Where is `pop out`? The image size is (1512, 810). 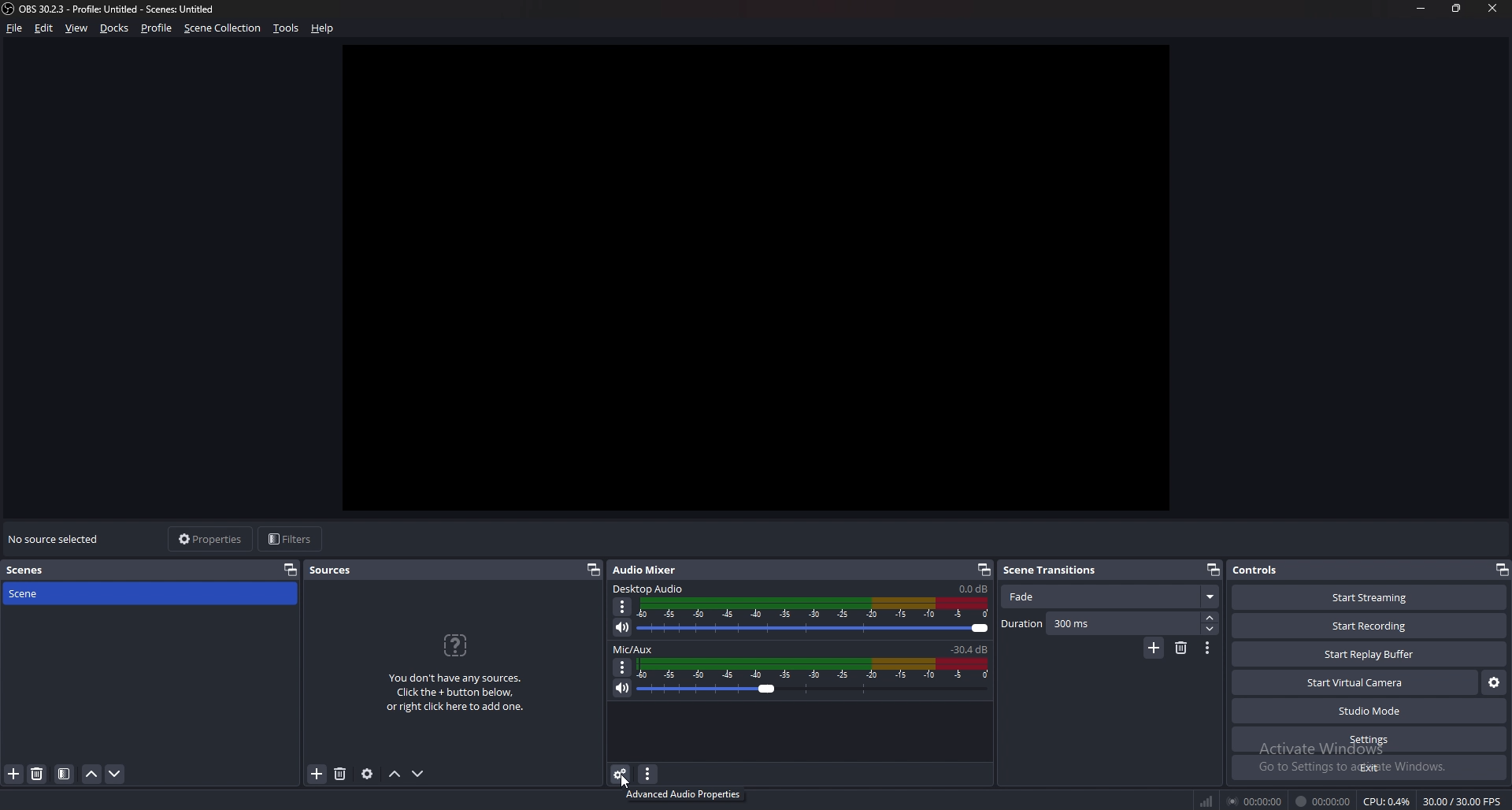 pop out is located at coordinates (290, 570).